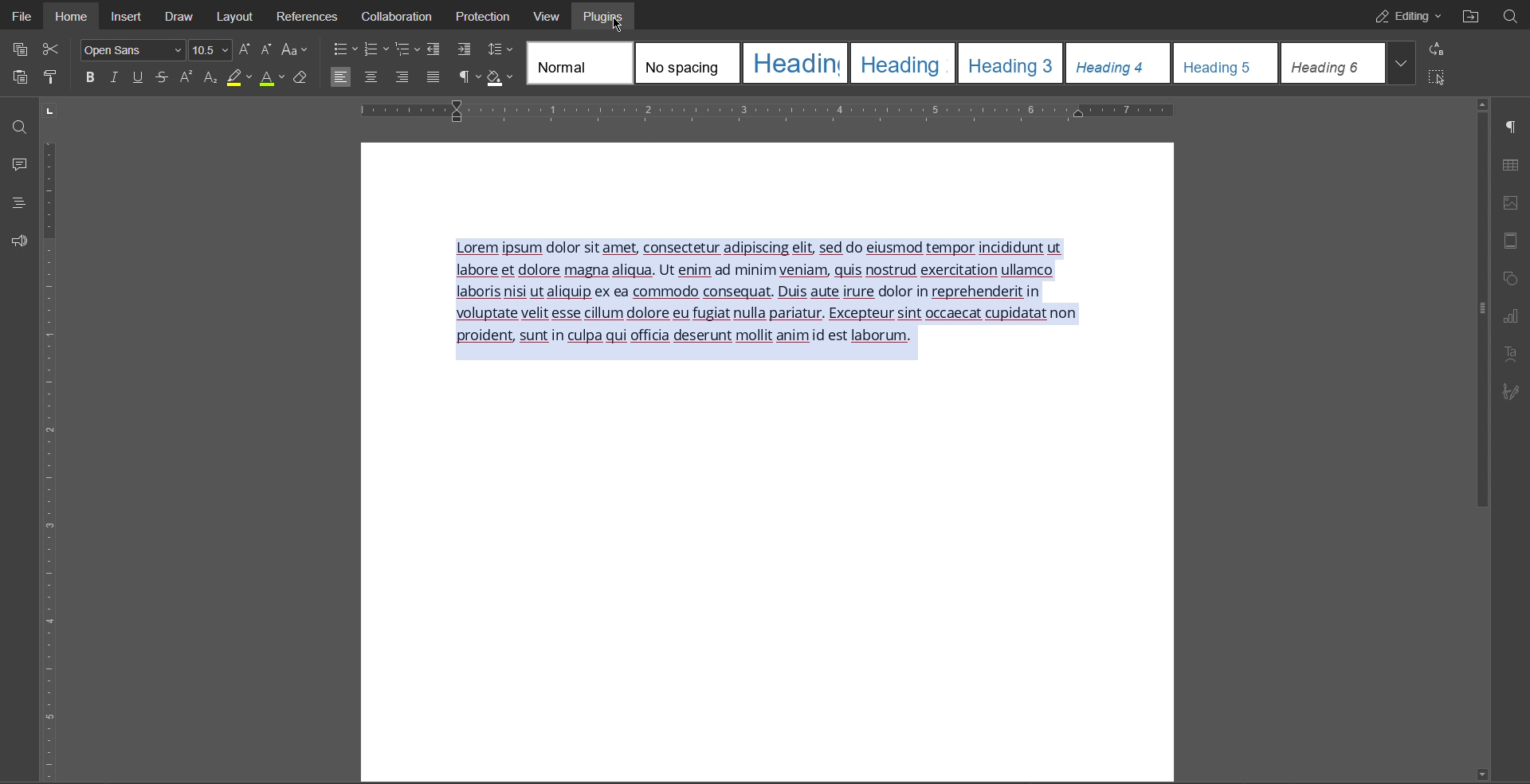 The height and width of the screenshot is (784, 1530). Describe the element at coordinates (1437, 49) in the screenshot. I see `Replace` at that location.